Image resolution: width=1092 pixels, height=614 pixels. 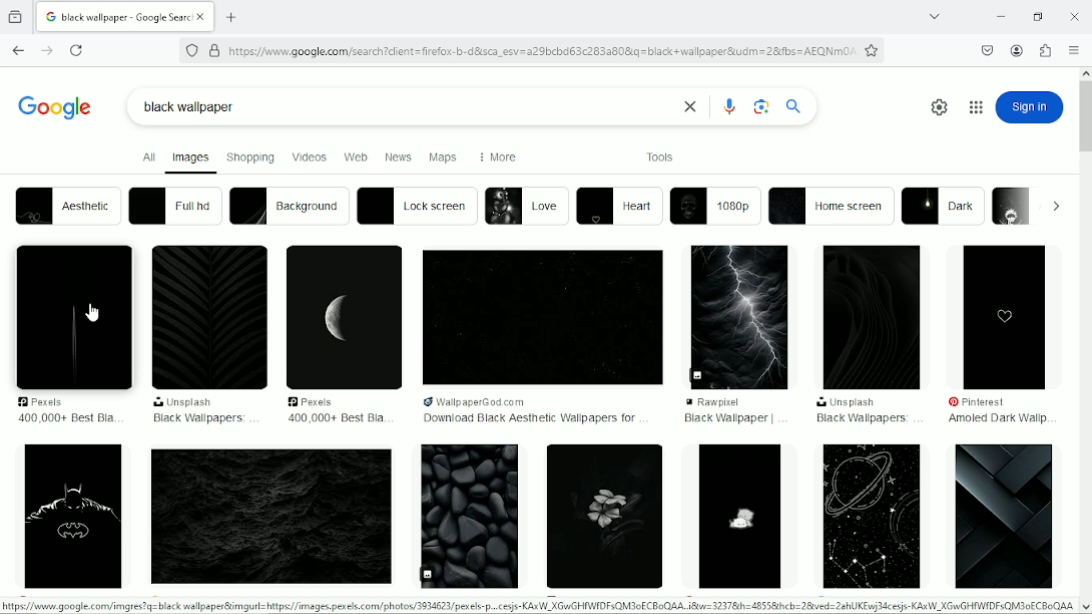 I want to click on search, so click(x=794, y=105).